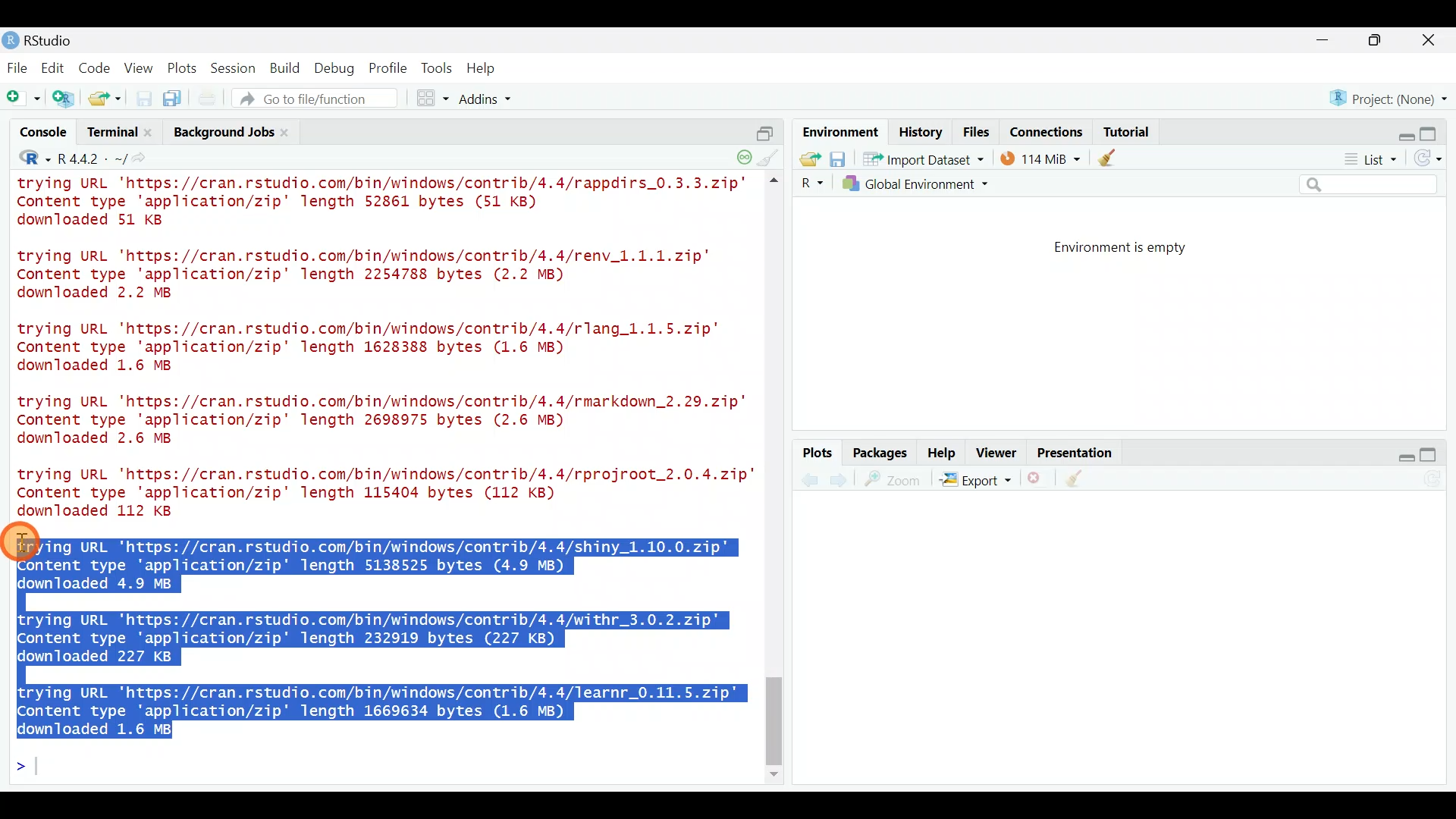  What do you see at coordinates (770, 156) in the screenshot?
I see `clear console` at bounding box center [770, 156].